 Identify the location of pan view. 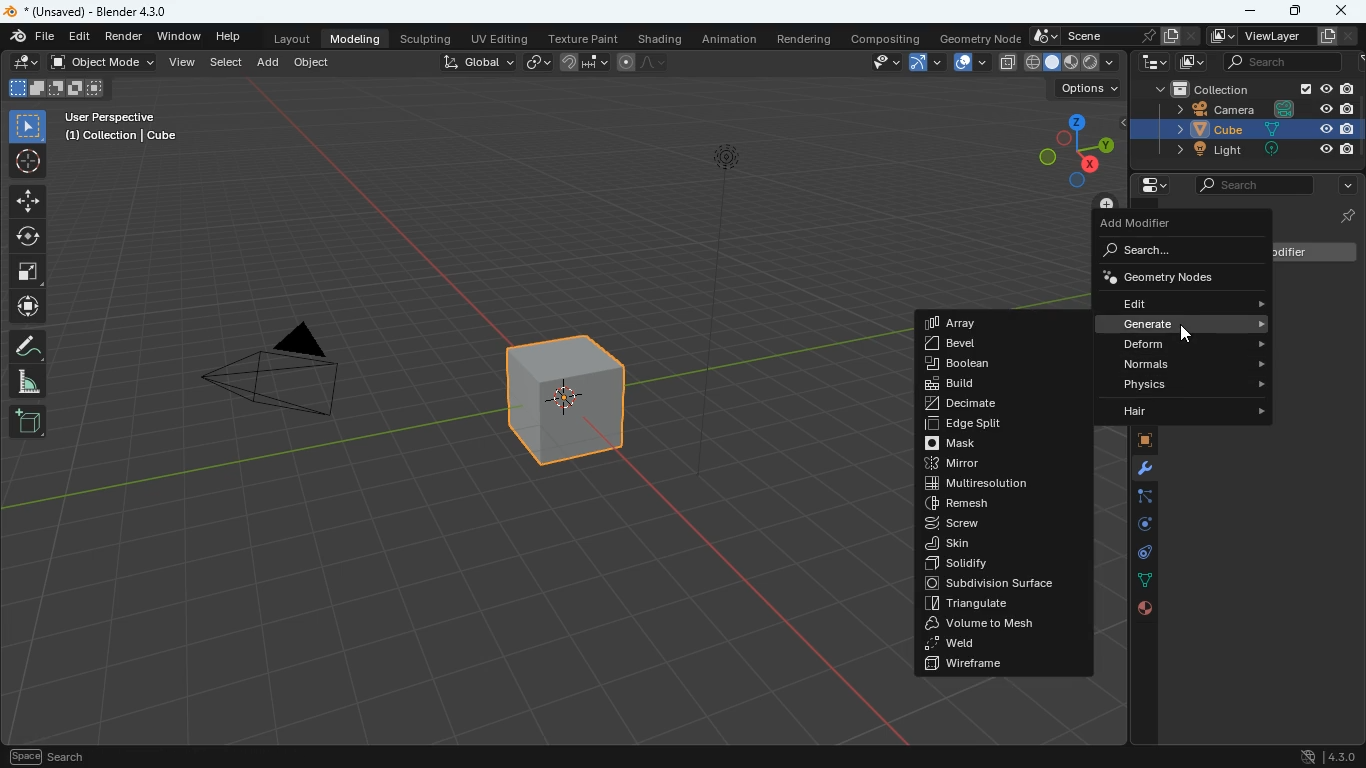
(47, 755).